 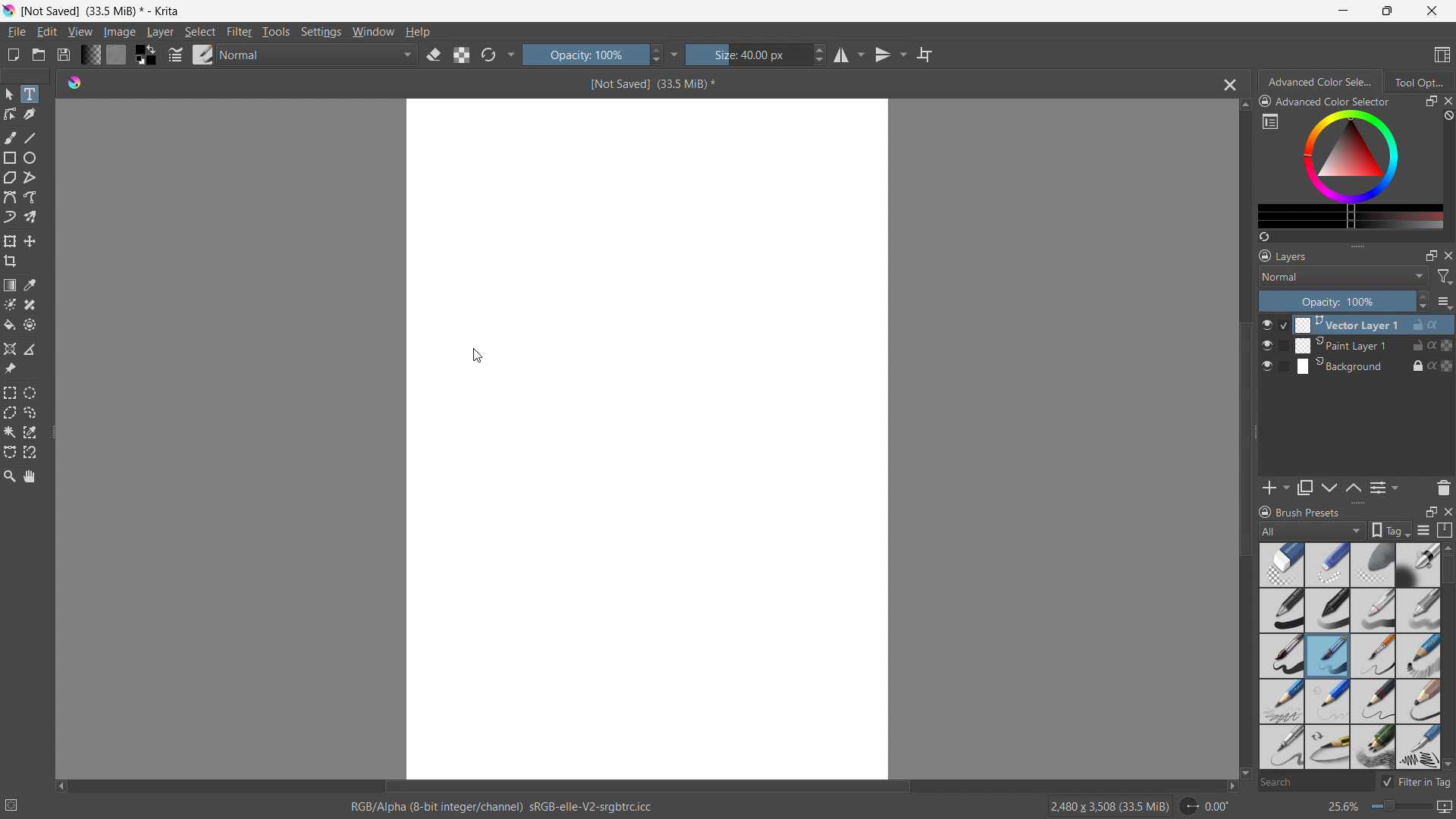 What do you see at coordinates (13, 55) in the screenshot?
I see `new` at bounding box center [13, 55].